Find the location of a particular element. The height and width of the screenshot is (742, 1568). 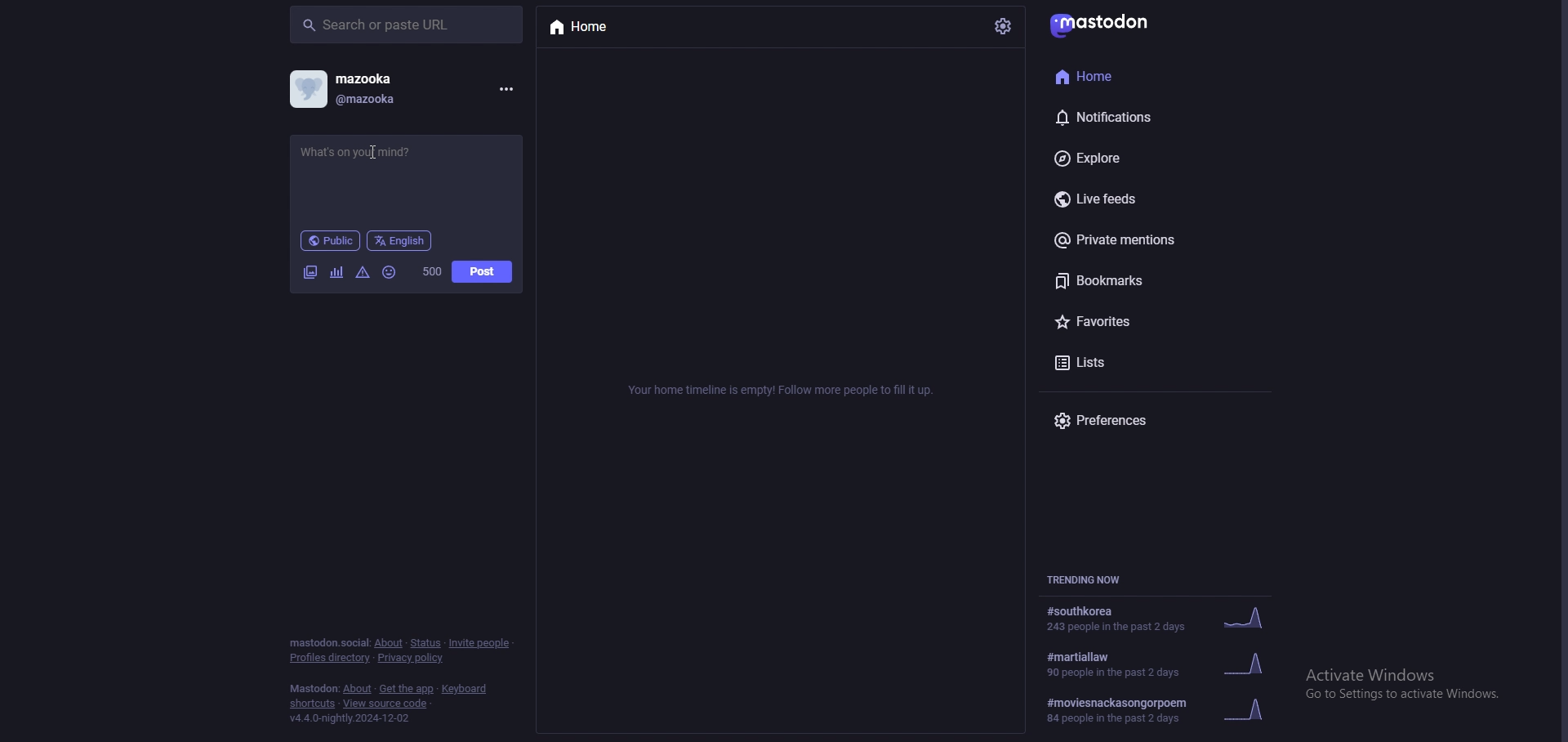

view source code is located at coordinates (387, 704).